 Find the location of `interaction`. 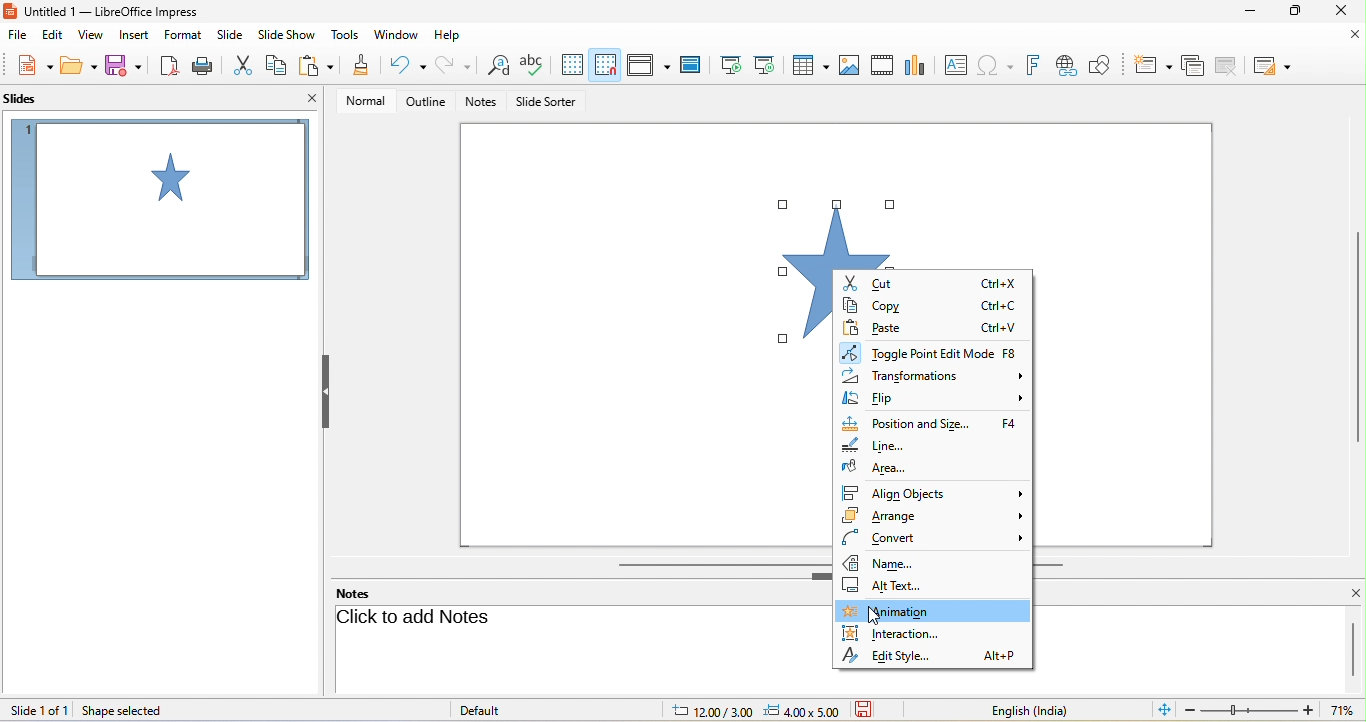

interaction is located at coordinates (897, 631).